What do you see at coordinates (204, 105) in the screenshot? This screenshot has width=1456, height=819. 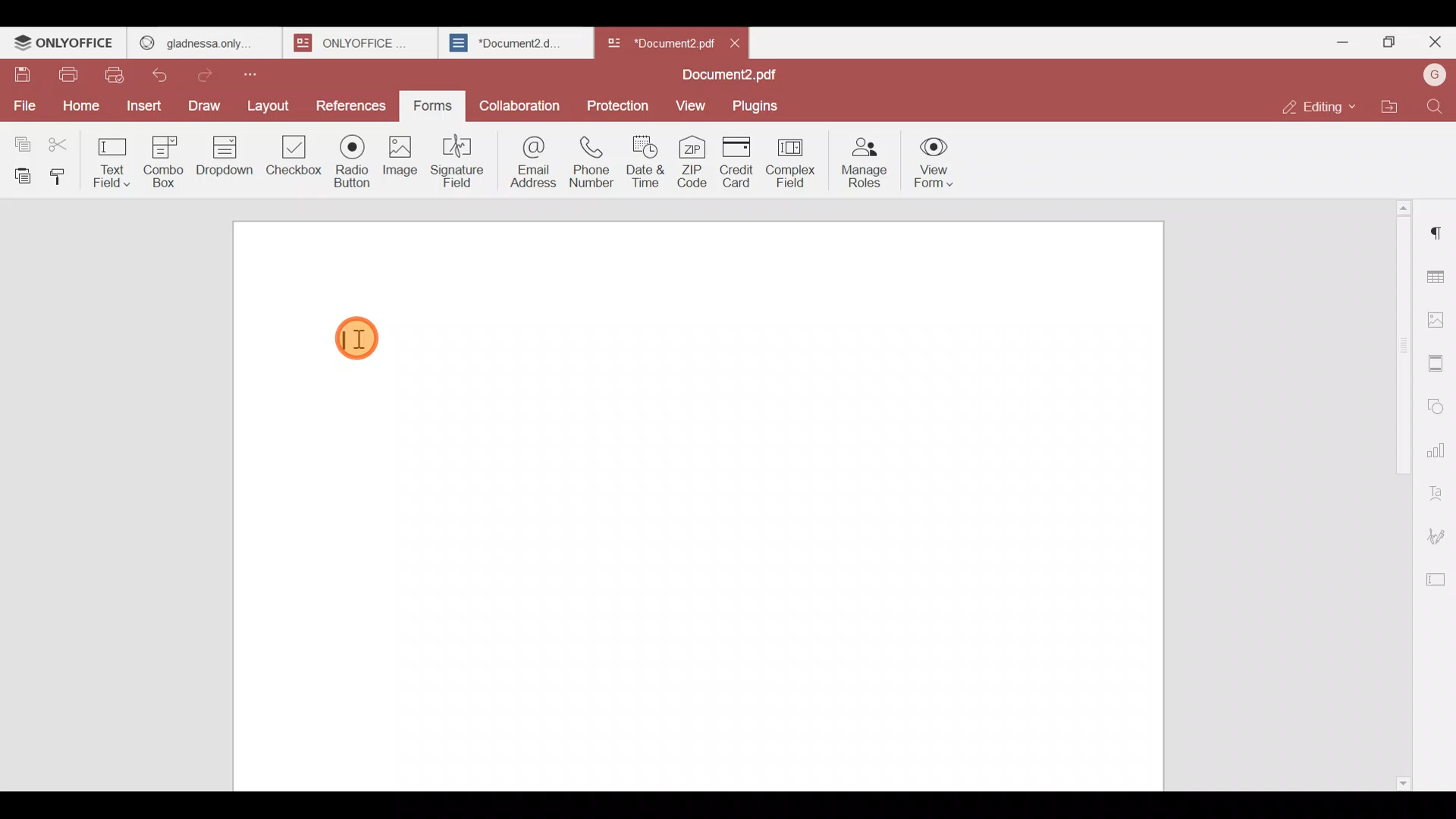 I see `Draw` at bounding box center [204, 105].